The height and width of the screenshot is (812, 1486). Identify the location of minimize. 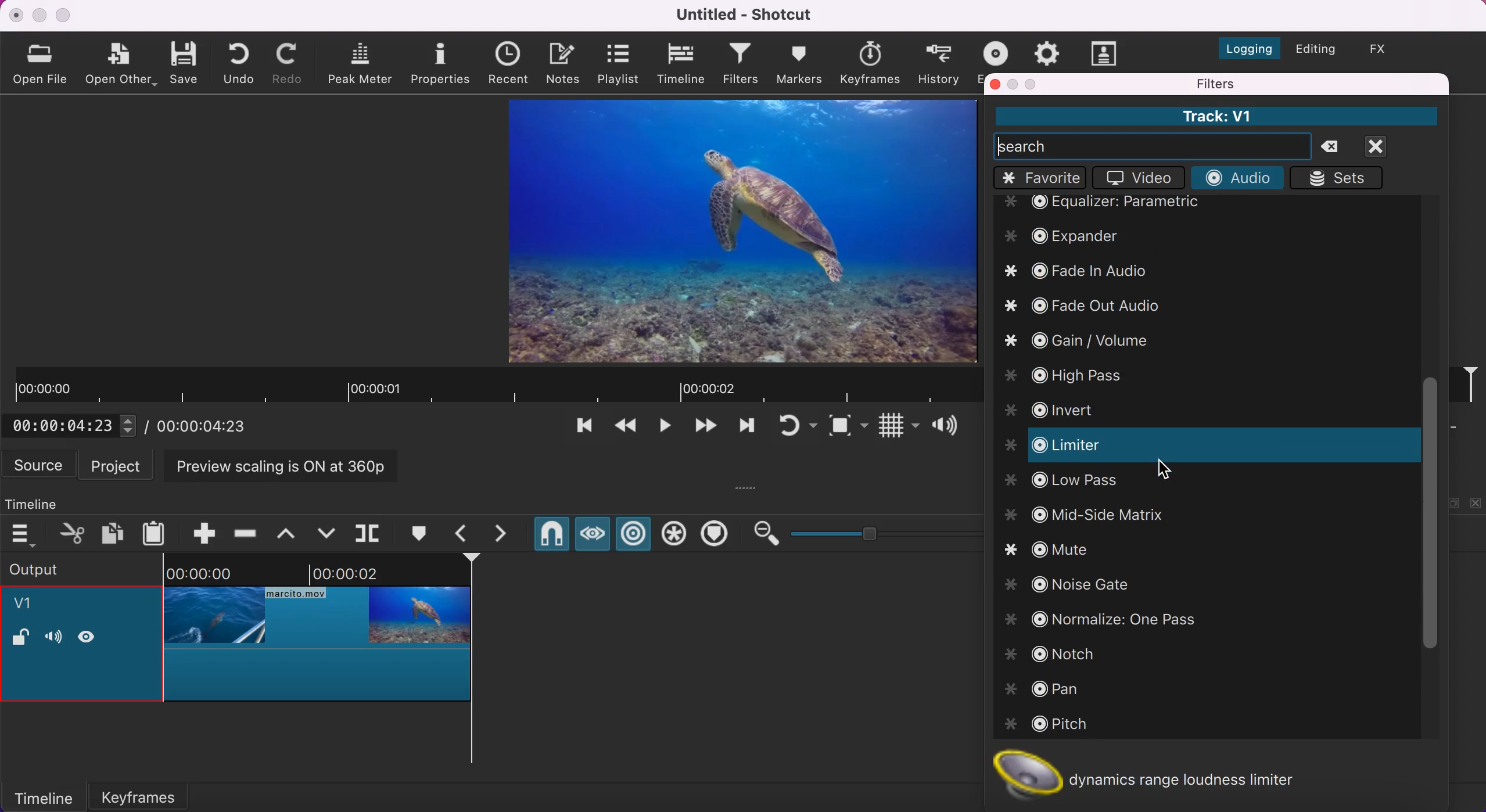
(39, 15).